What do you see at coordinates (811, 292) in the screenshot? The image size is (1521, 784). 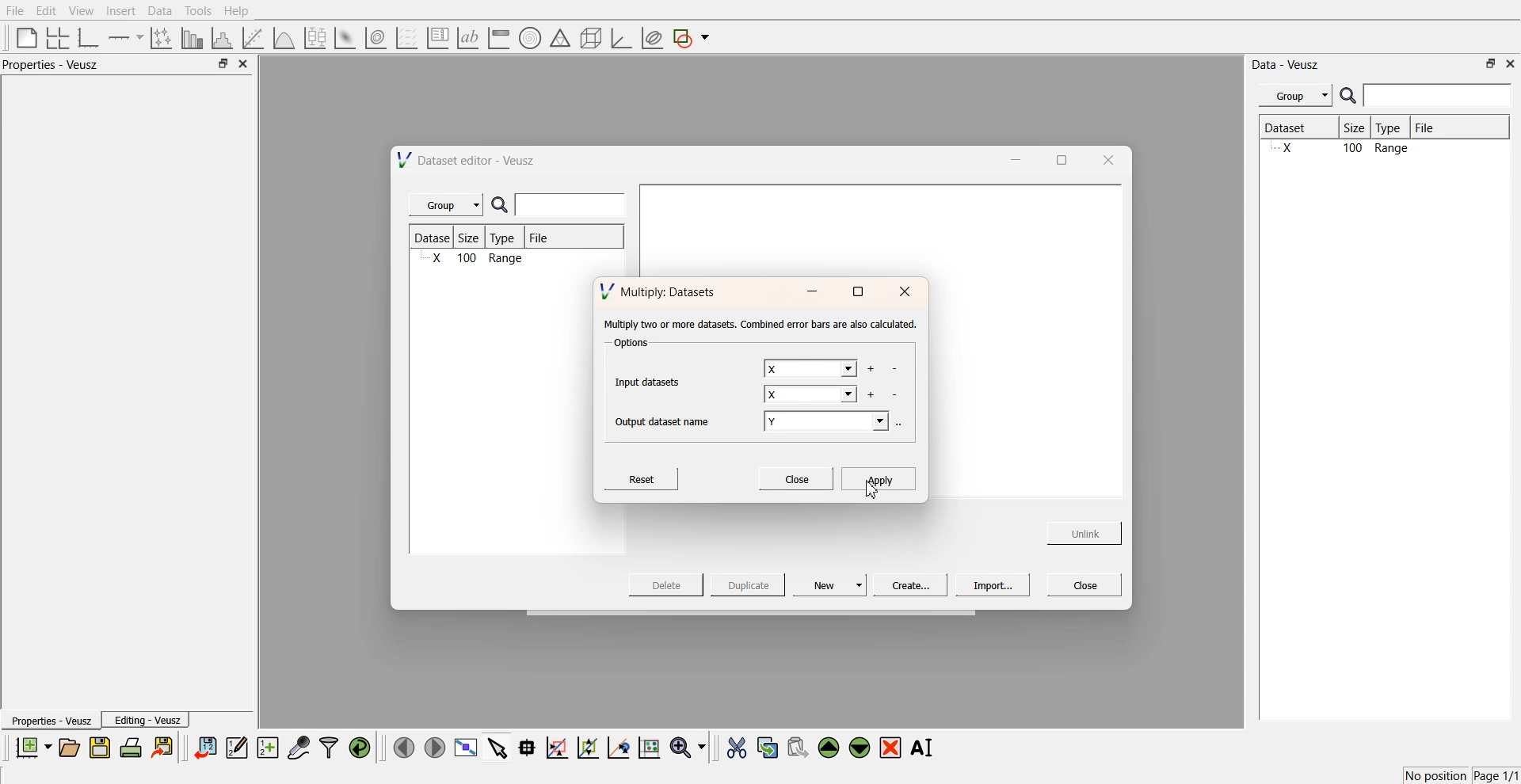 I see `minimise` at bounding box center [811, 292].